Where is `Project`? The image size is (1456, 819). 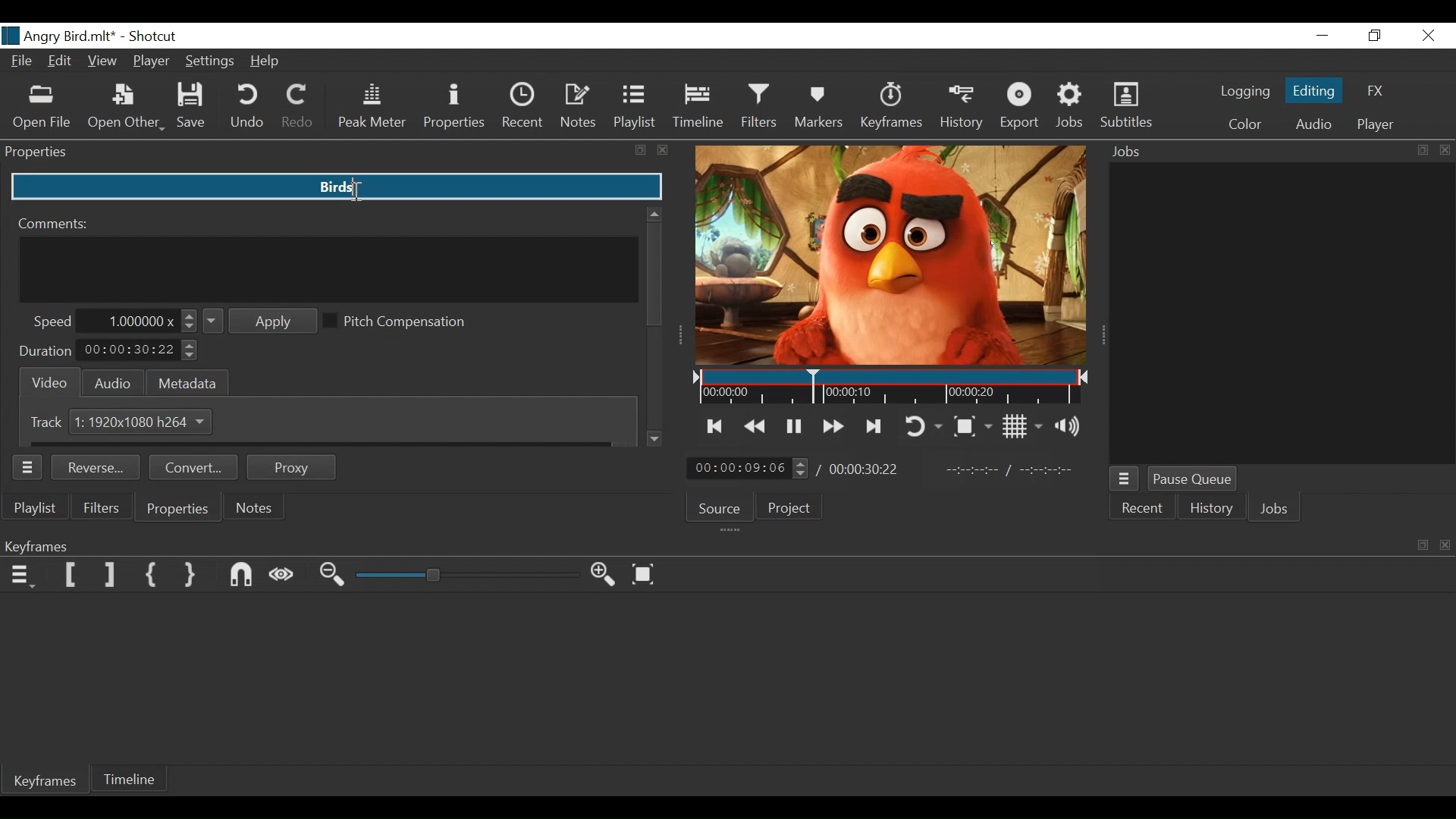
Project is located at coordinates (794, 507).